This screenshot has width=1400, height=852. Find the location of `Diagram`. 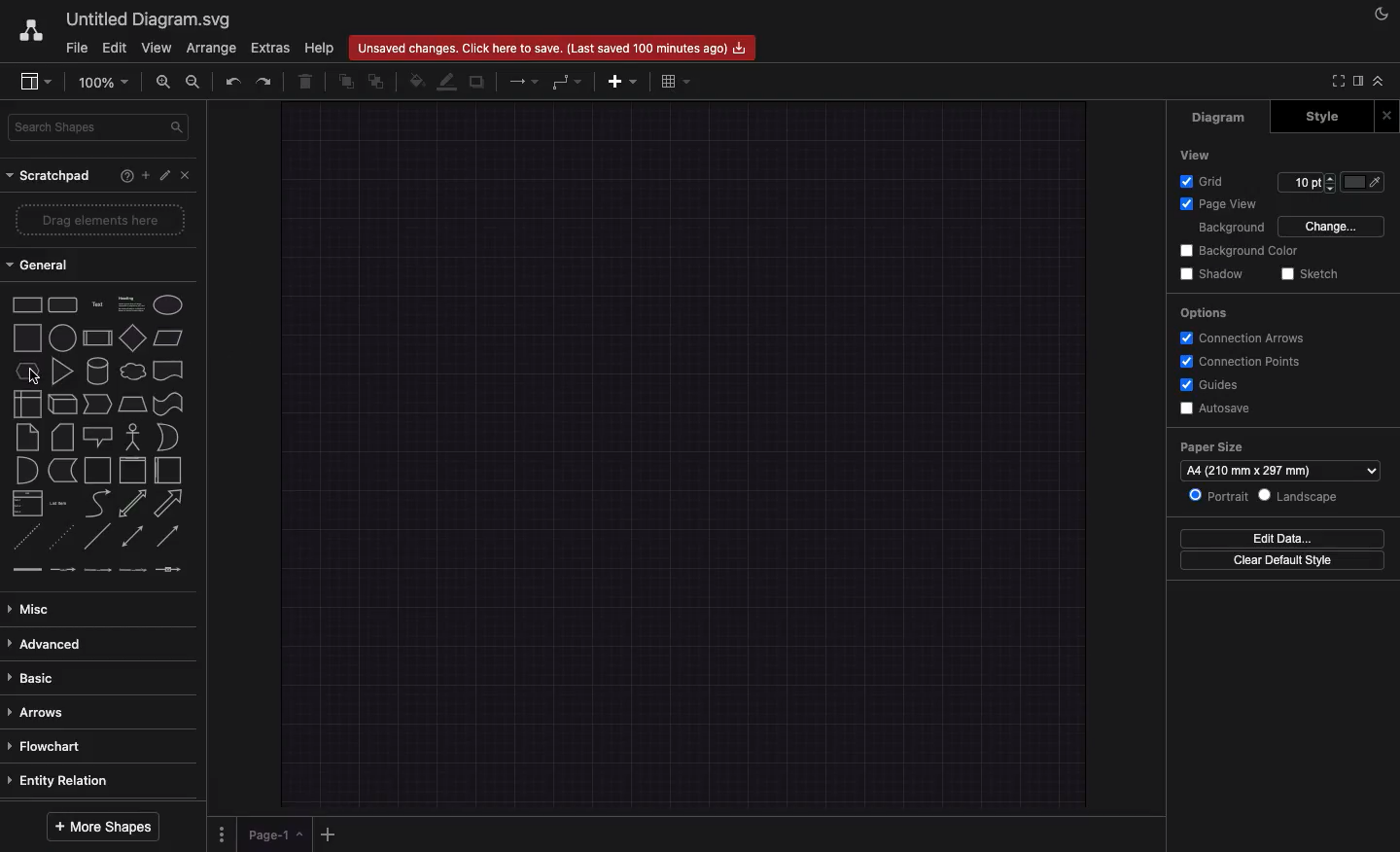

Diagram is located at coordinates (1218, 117).